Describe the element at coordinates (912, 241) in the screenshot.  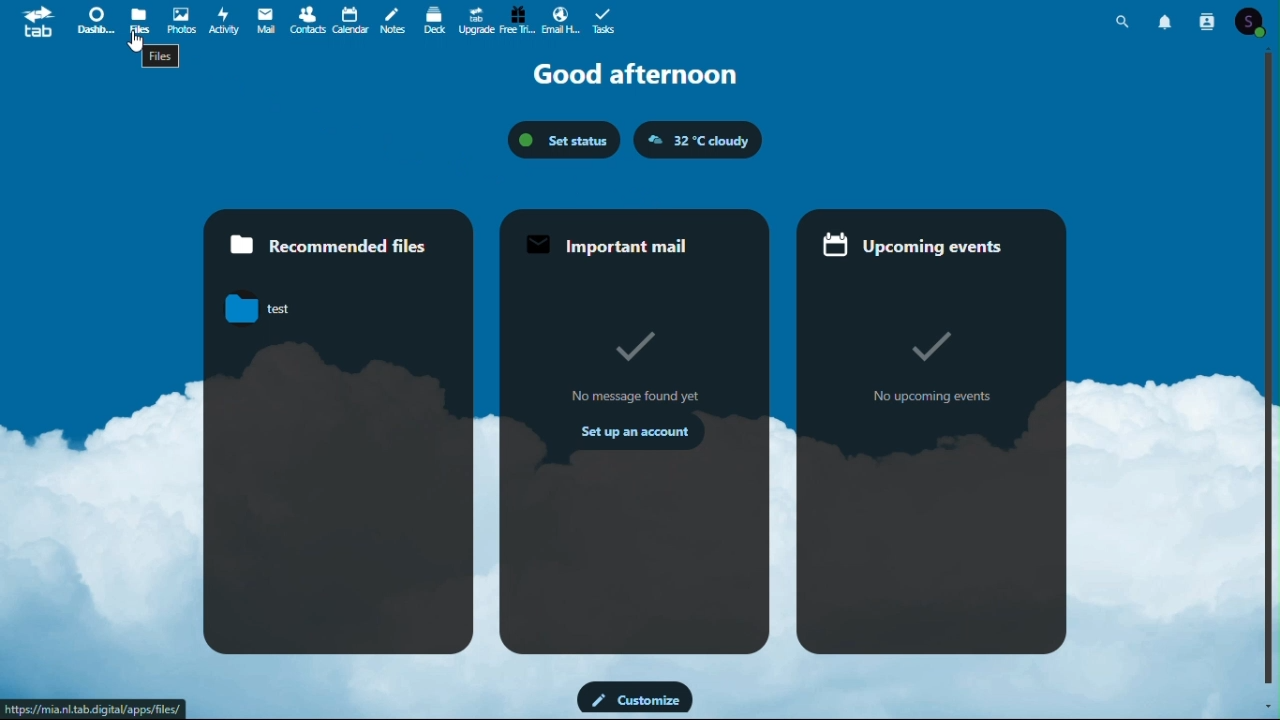
I see `Upcoming events` at that location.